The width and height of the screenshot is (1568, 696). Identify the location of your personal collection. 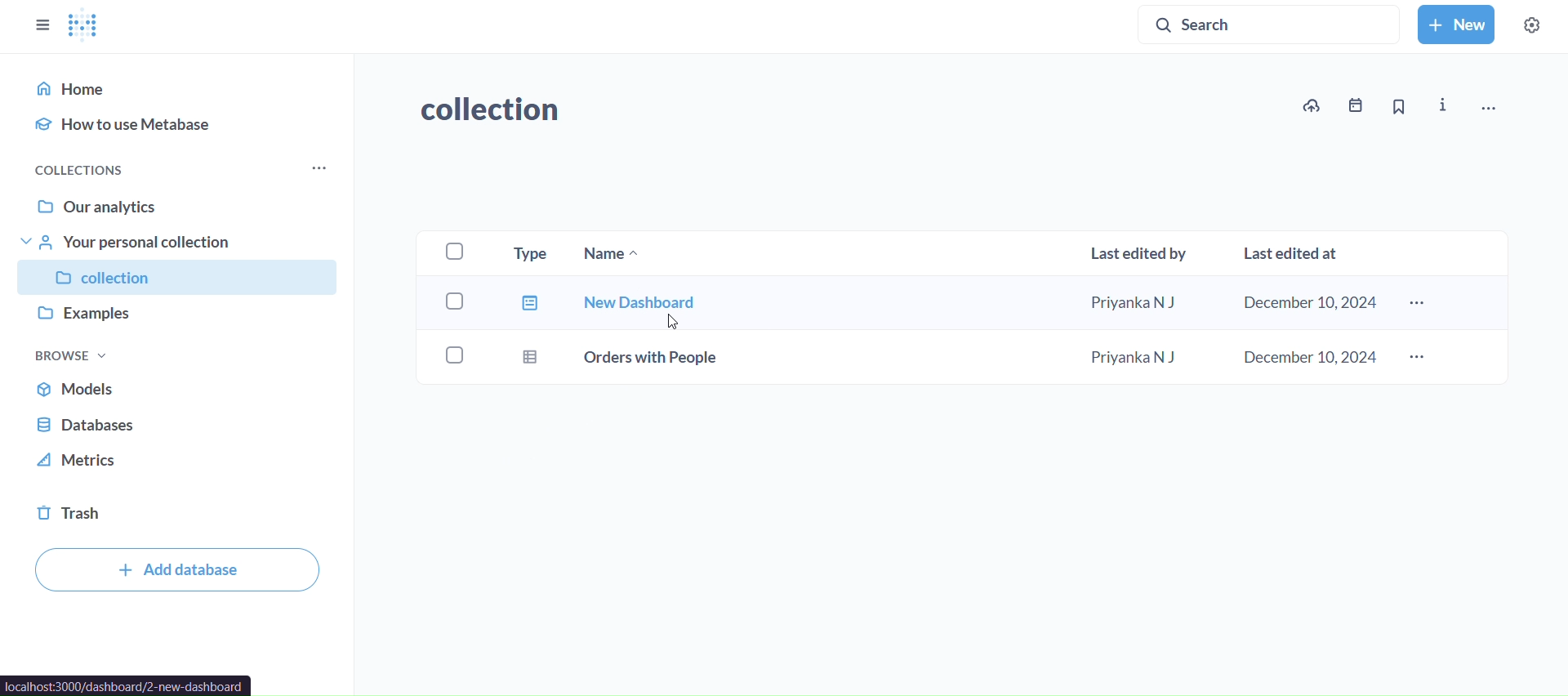
(186, 240).